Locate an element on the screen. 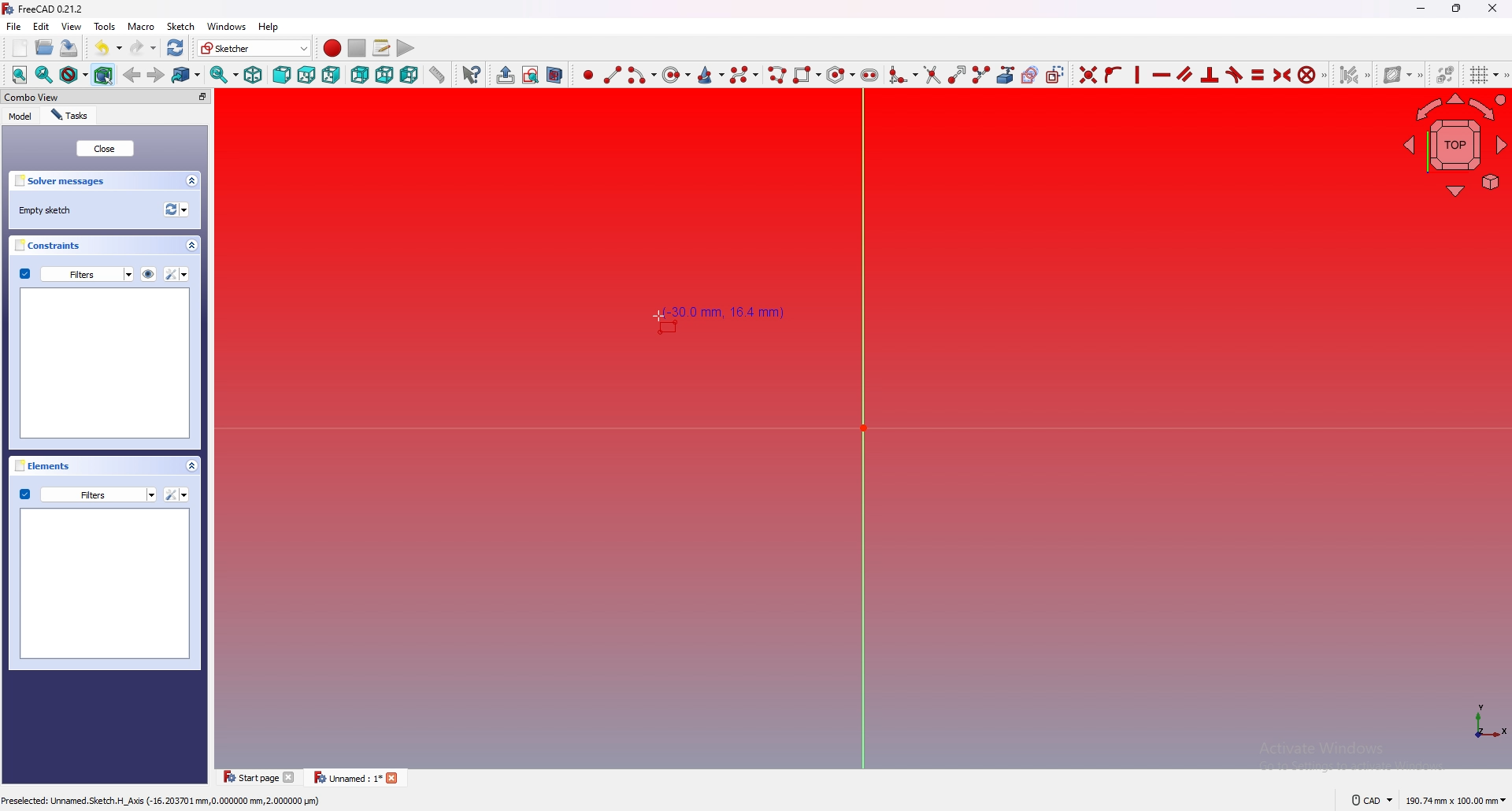 This screenshot has width=1512, height=811. split edge is located at coordinates (982, 75).